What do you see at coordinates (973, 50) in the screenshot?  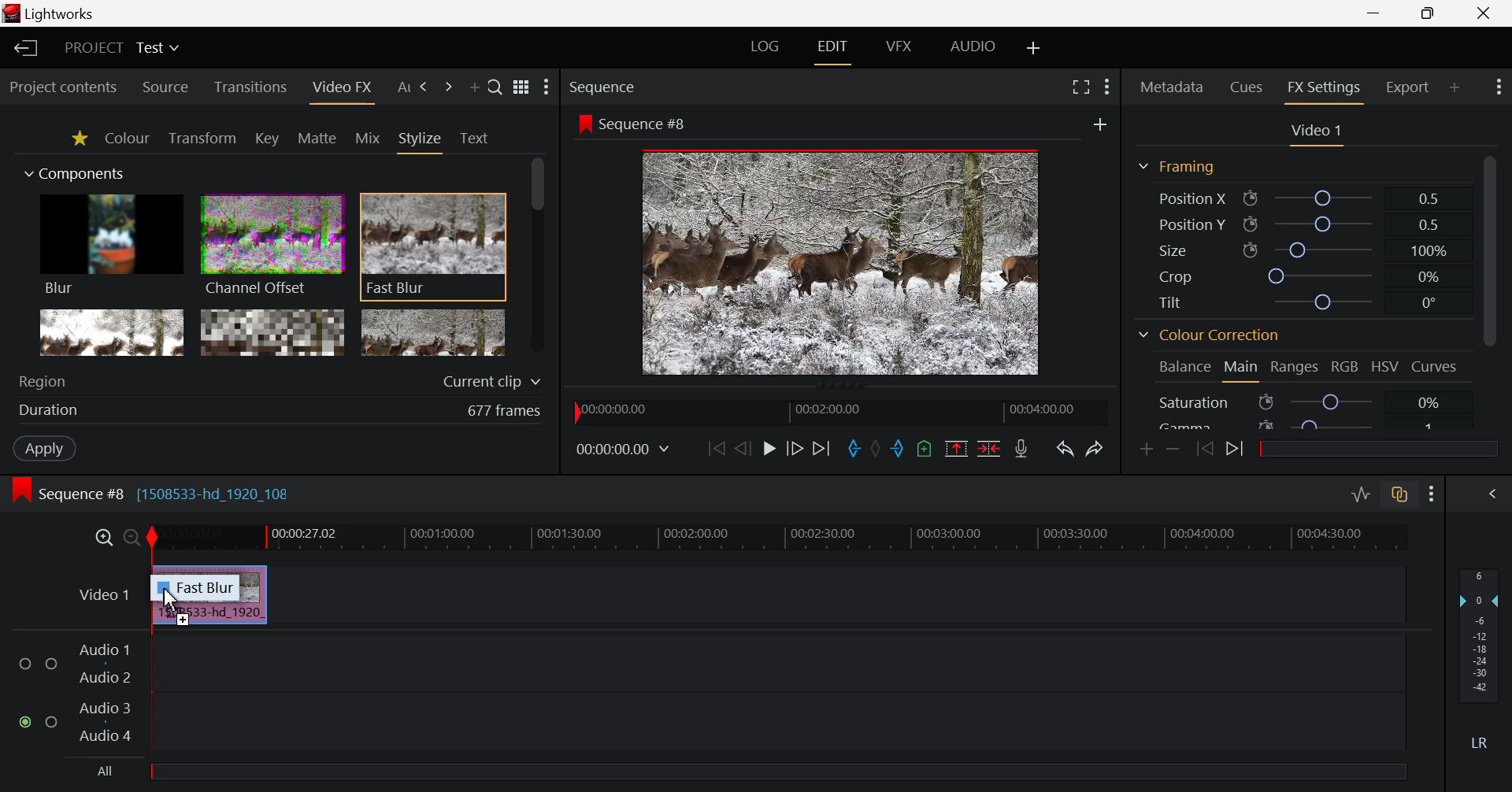 I see `AUDIO` at bounding box center [973, 50].